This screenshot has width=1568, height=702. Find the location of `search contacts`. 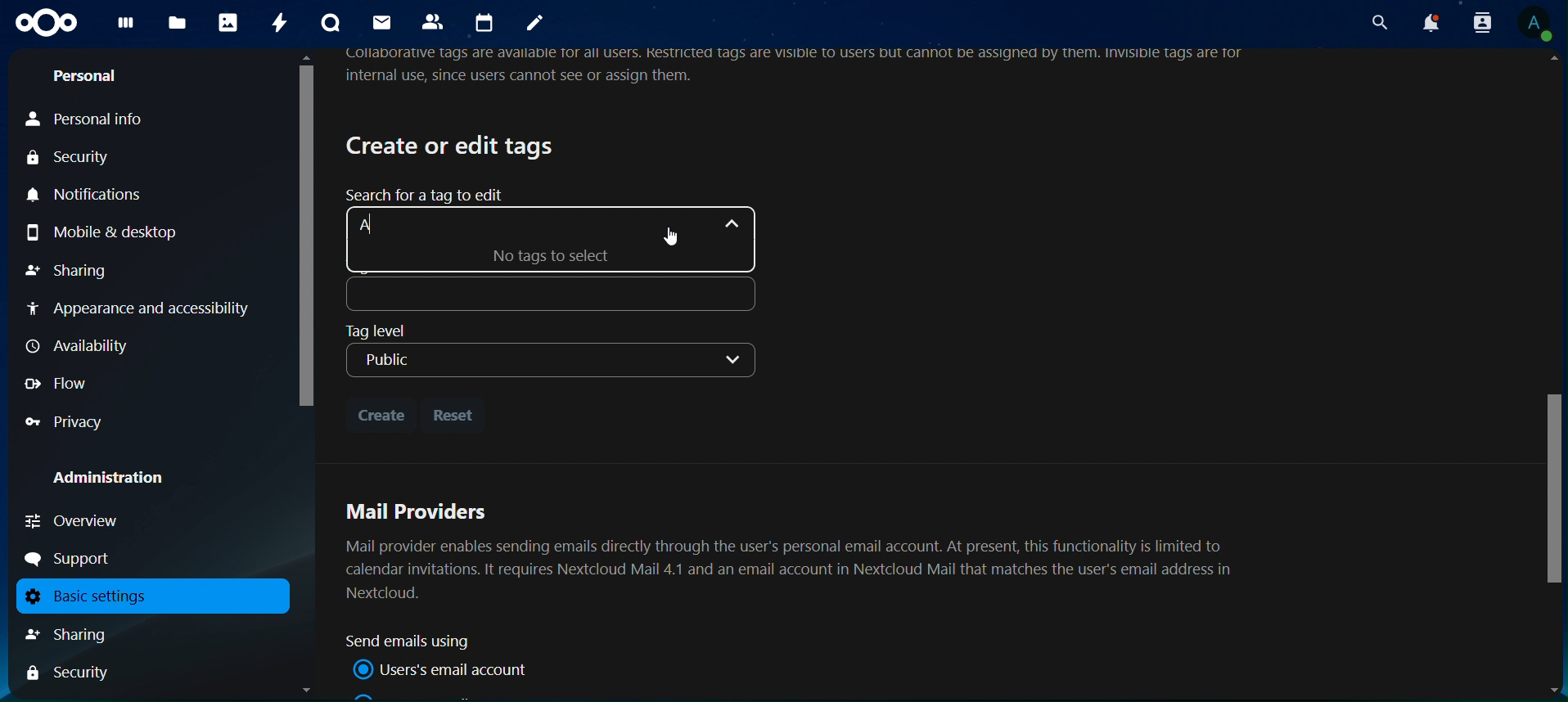

search contacts is located at coordinates (1476, 22).